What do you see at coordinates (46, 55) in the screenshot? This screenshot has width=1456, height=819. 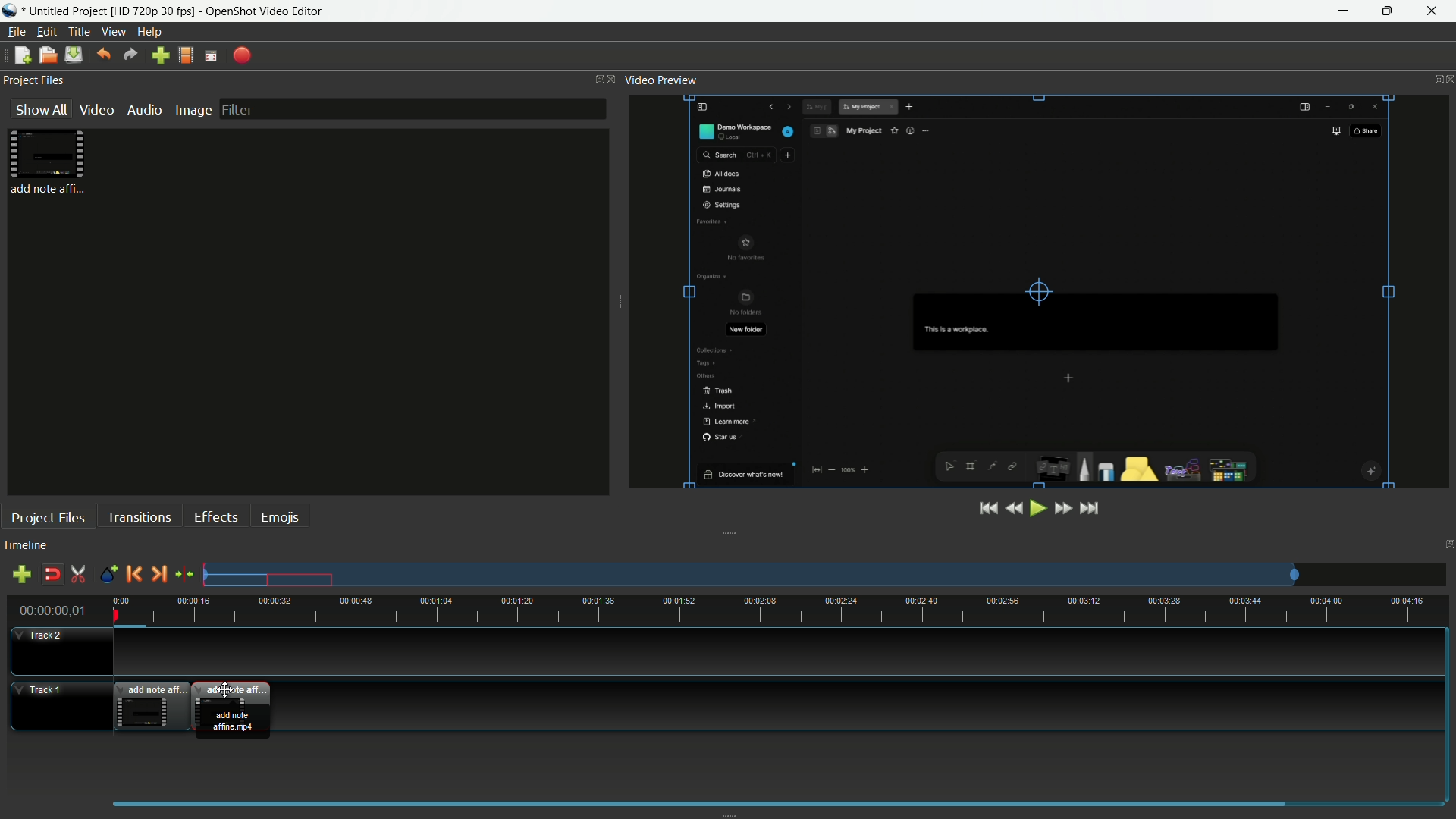 I see `open file` at bounding box center [46, 55].